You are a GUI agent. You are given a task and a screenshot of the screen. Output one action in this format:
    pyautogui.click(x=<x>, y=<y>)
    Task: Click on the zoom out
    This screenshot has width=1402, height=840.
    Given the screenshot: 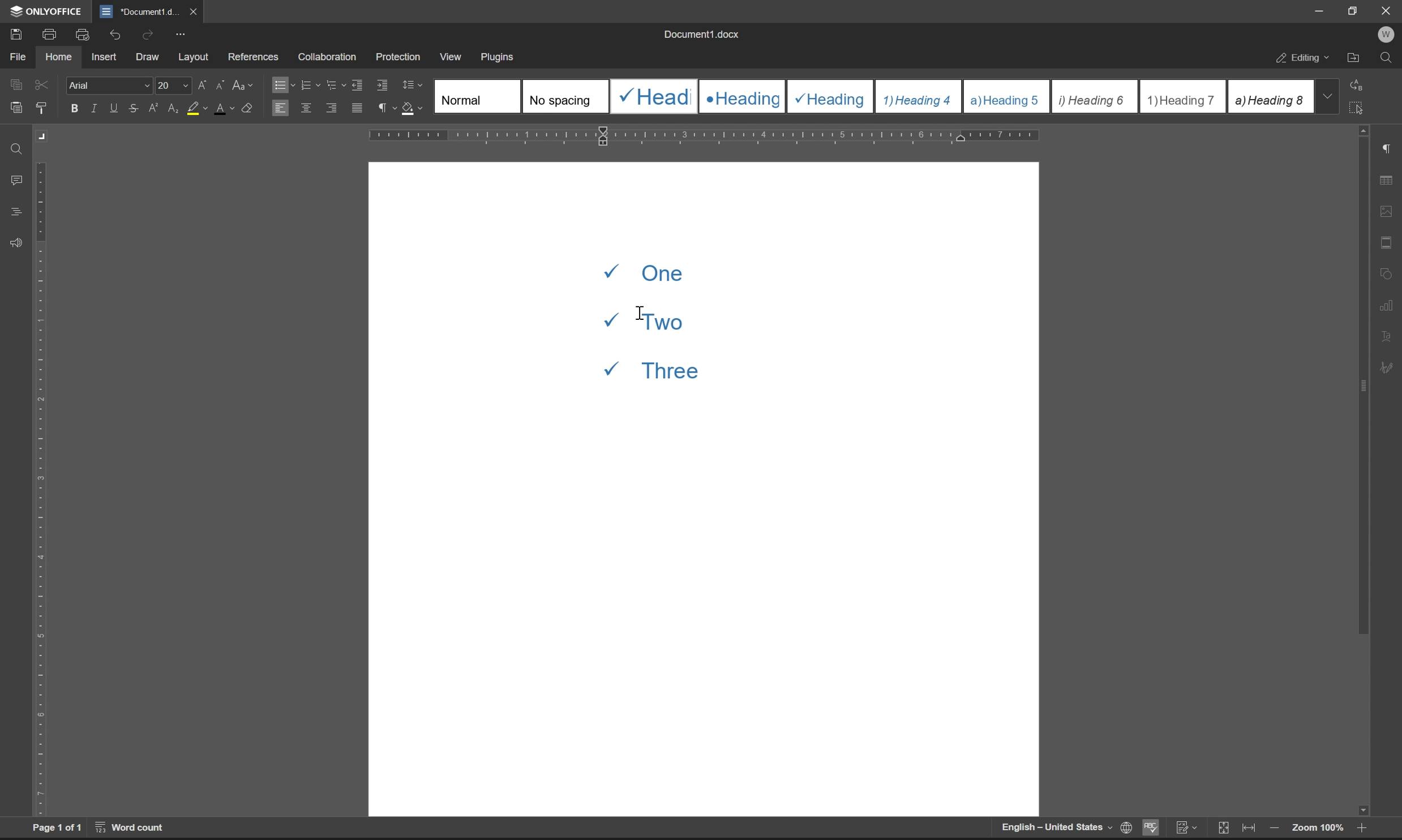 What is the action you would take?
    pyautogui.click(x=1274, y=829)
    